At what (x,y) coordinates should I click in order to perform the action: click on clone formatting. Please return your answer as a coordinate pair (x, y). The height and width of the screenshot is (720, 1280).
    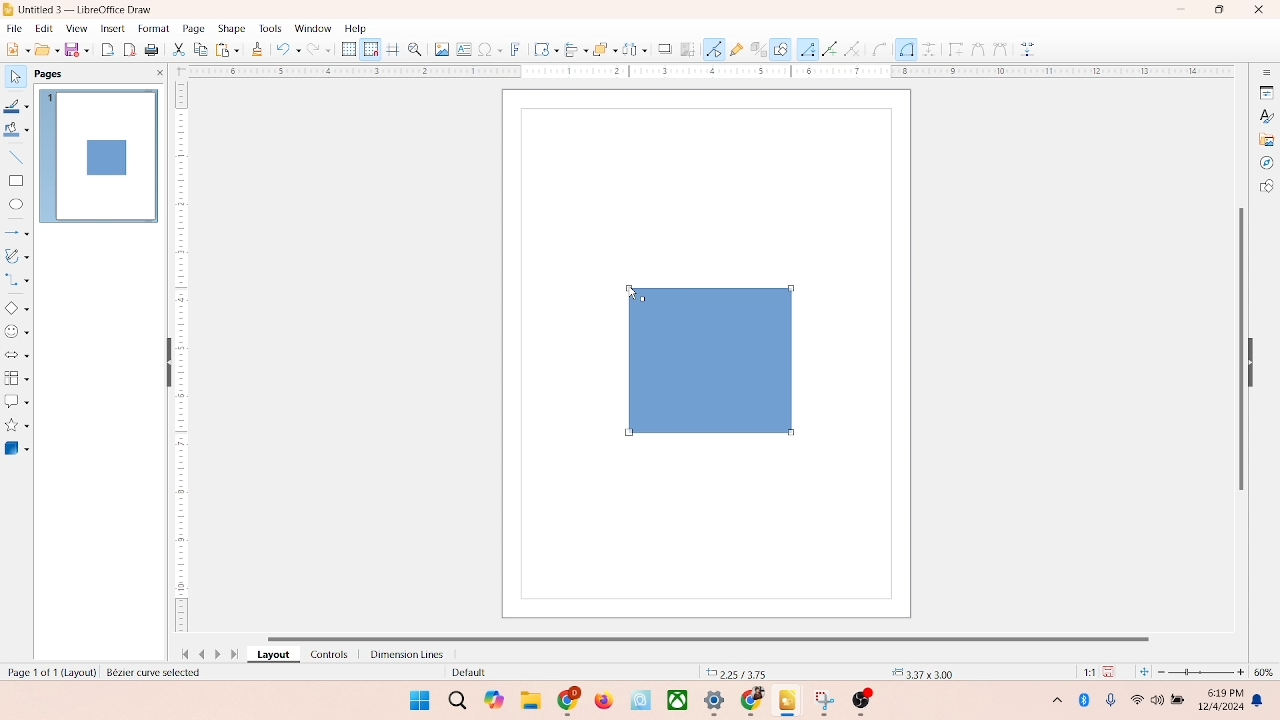
    Looking at the image, I should click on (256, 49).